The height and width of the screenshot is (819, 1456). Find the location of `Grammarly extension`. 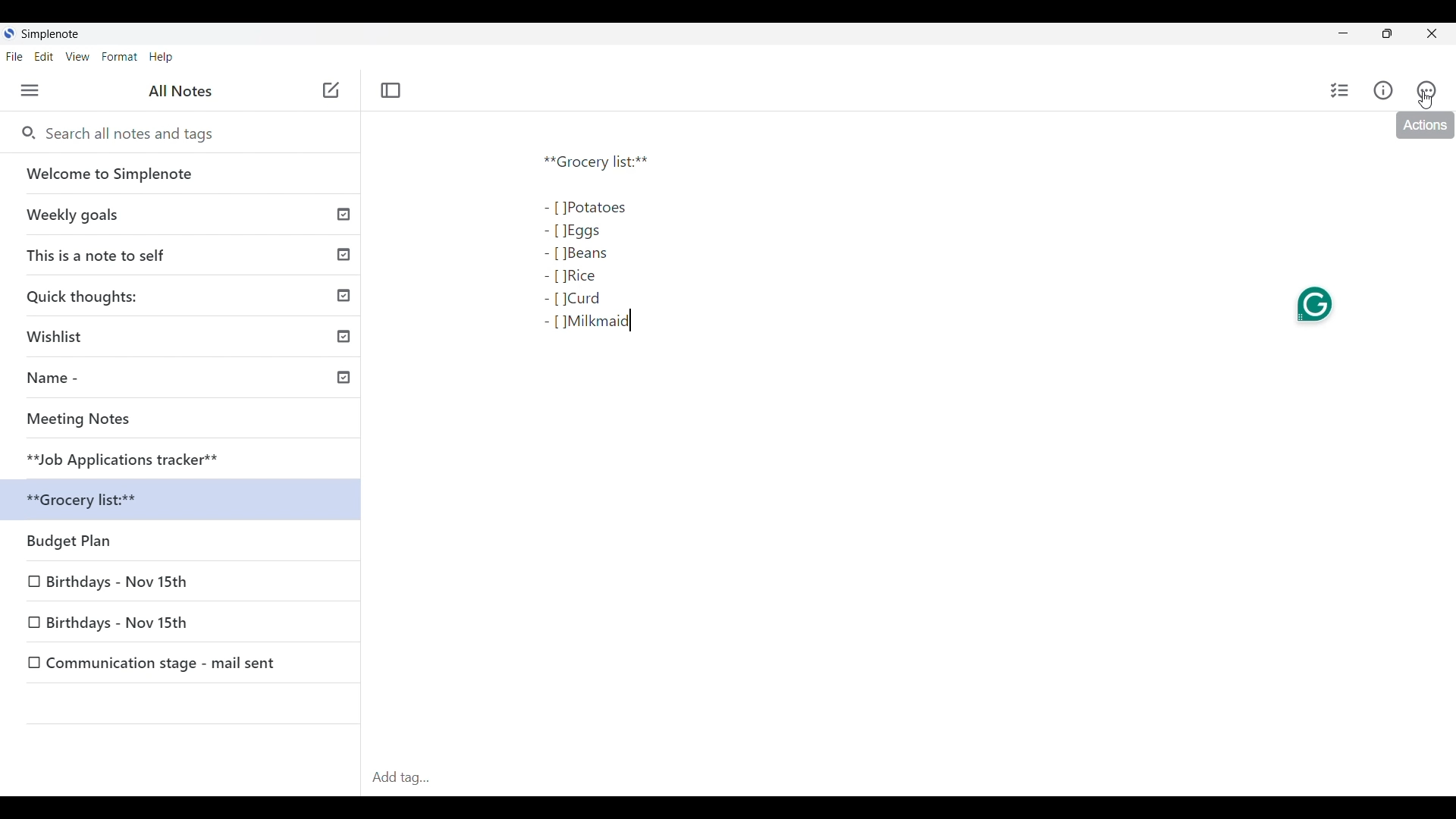

Grammarly extension is located at coordinates (1313, 305).